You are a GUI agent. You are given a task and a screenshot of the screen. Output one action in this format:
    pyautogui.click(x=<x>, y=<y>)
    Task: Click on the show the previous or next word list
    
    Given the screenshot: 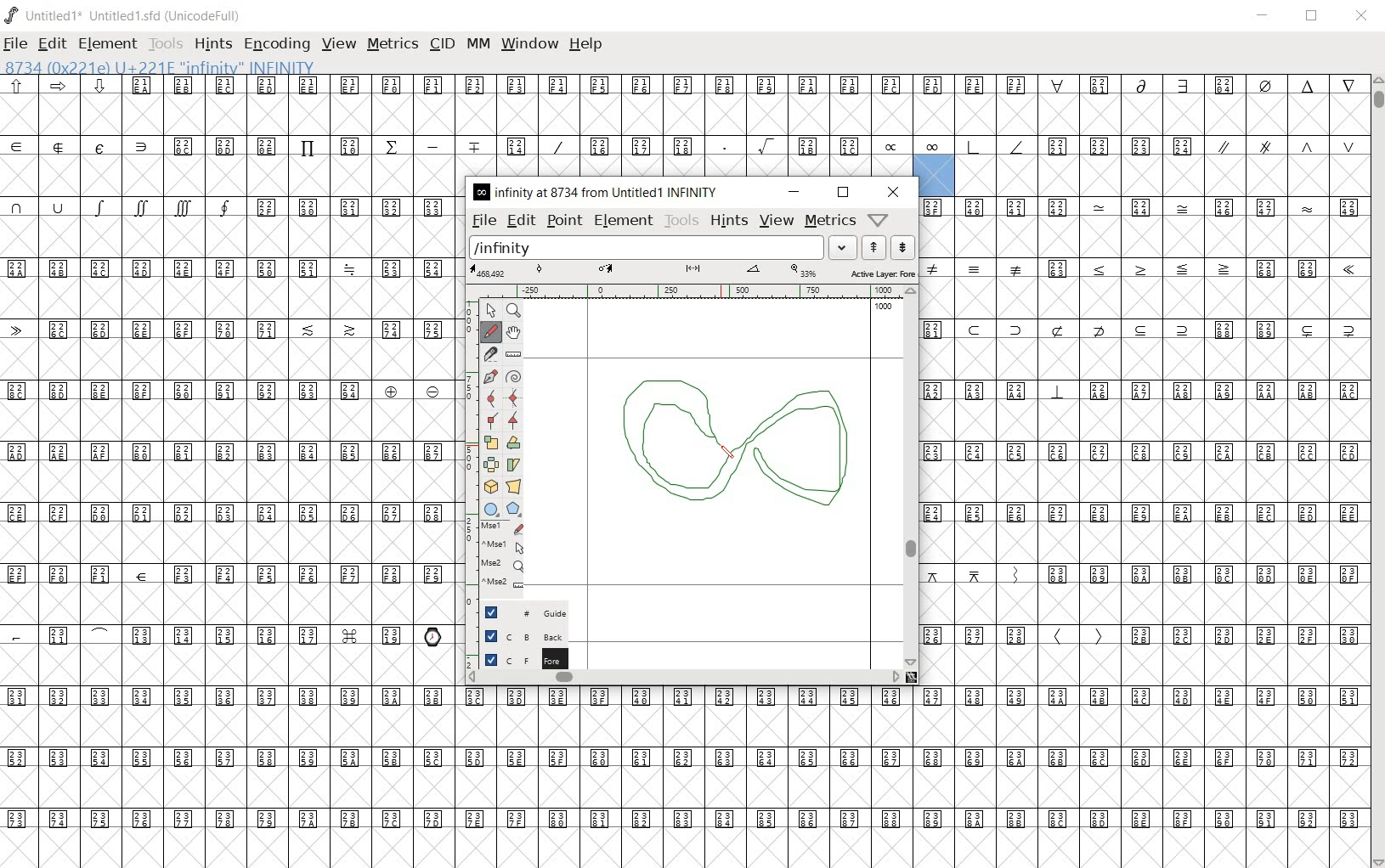 What is the action you would take?
    pyautogui.click(x=888, y=247)
    